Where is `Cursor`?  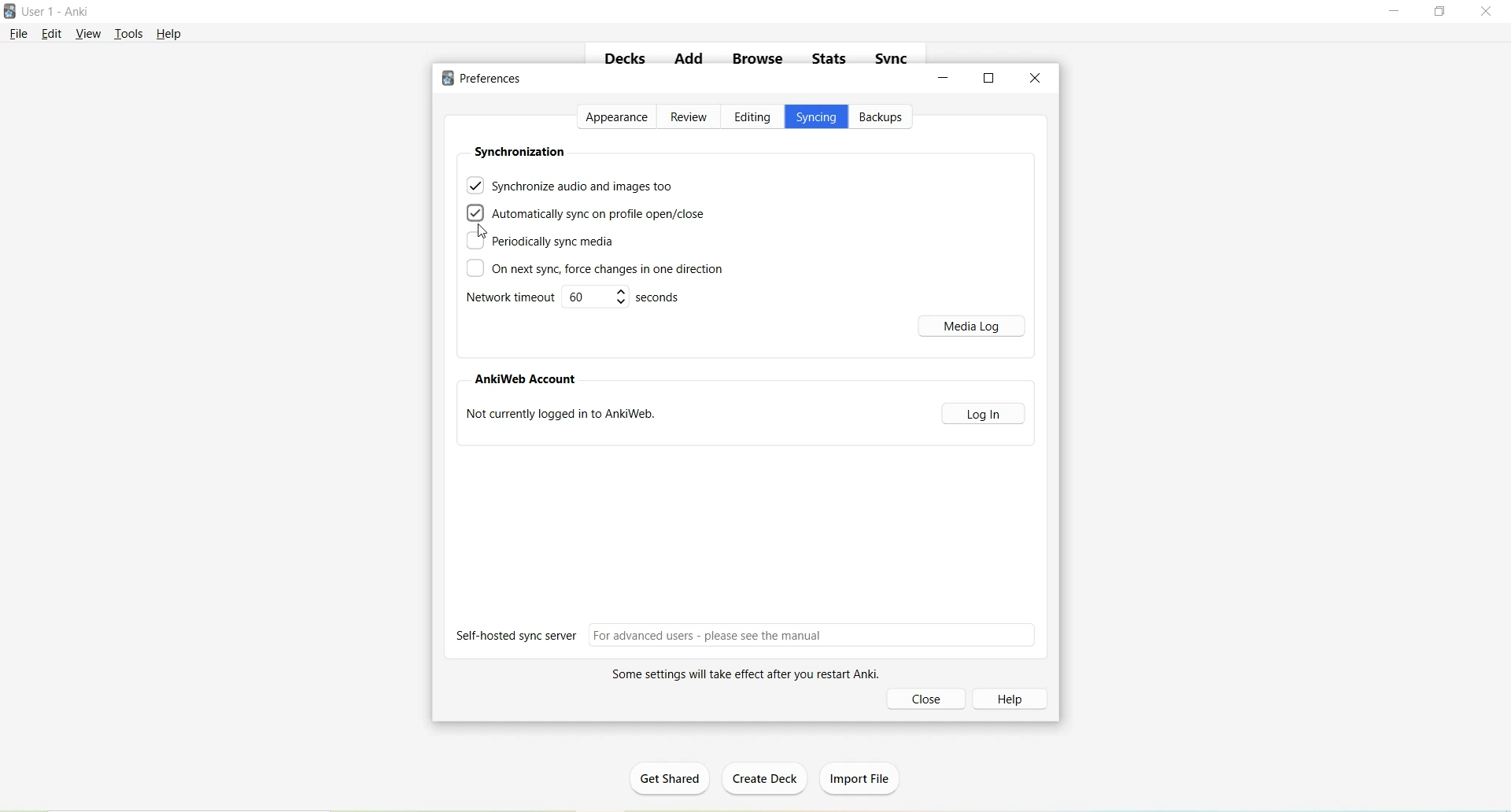
Cursor is located at coordinates (482, 231).